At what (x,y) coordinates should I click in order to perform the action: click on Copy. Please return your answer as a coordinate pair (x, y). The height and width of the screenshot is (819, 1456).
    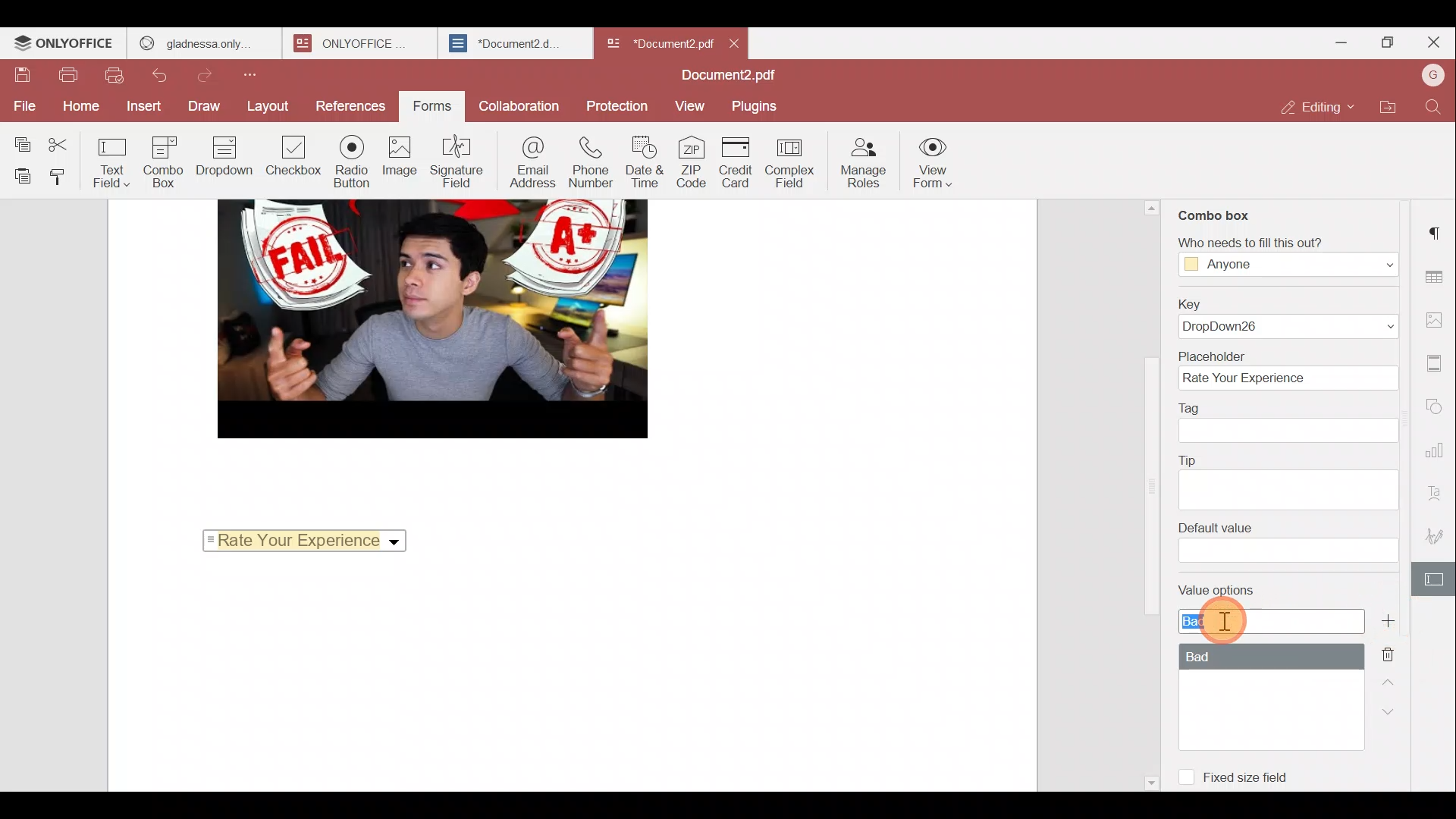
    Looking at the image, I should click on (22, 141).